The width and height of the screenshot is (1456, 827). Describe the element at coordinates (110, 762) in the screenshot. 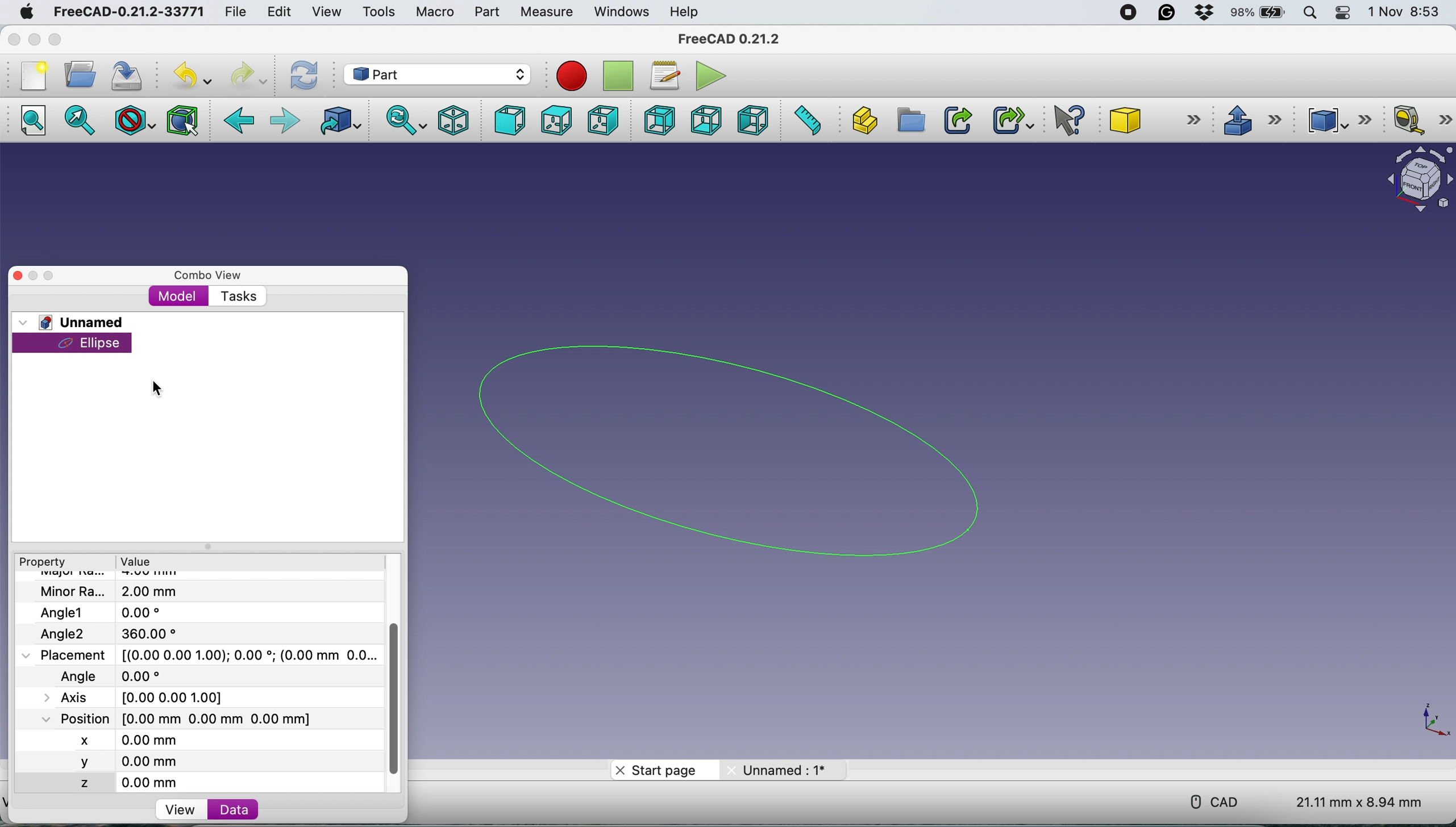

I see `y` at that location.